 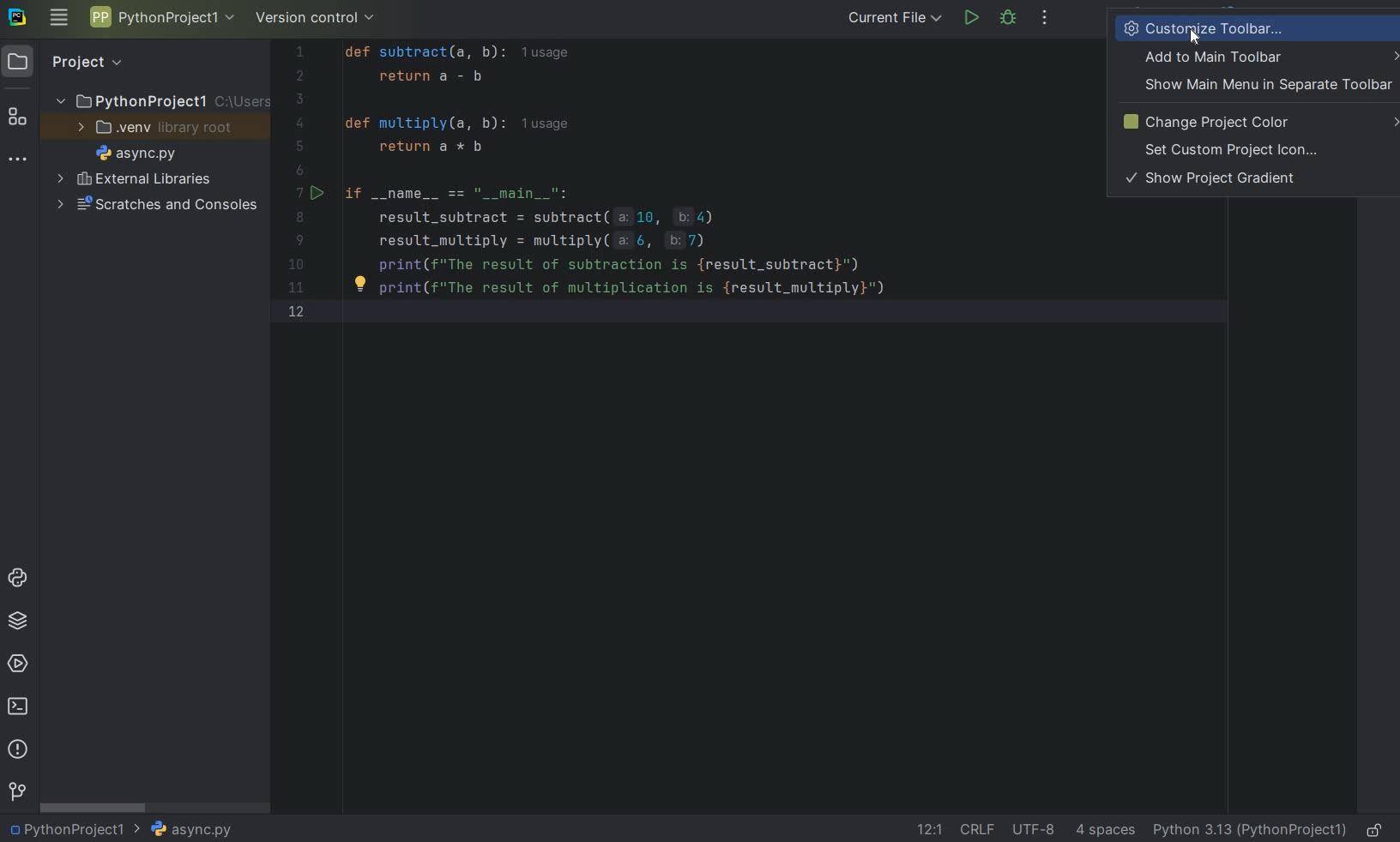 I want to click on CHANGE PROJECT COLR, so click(x=1253, y=122).